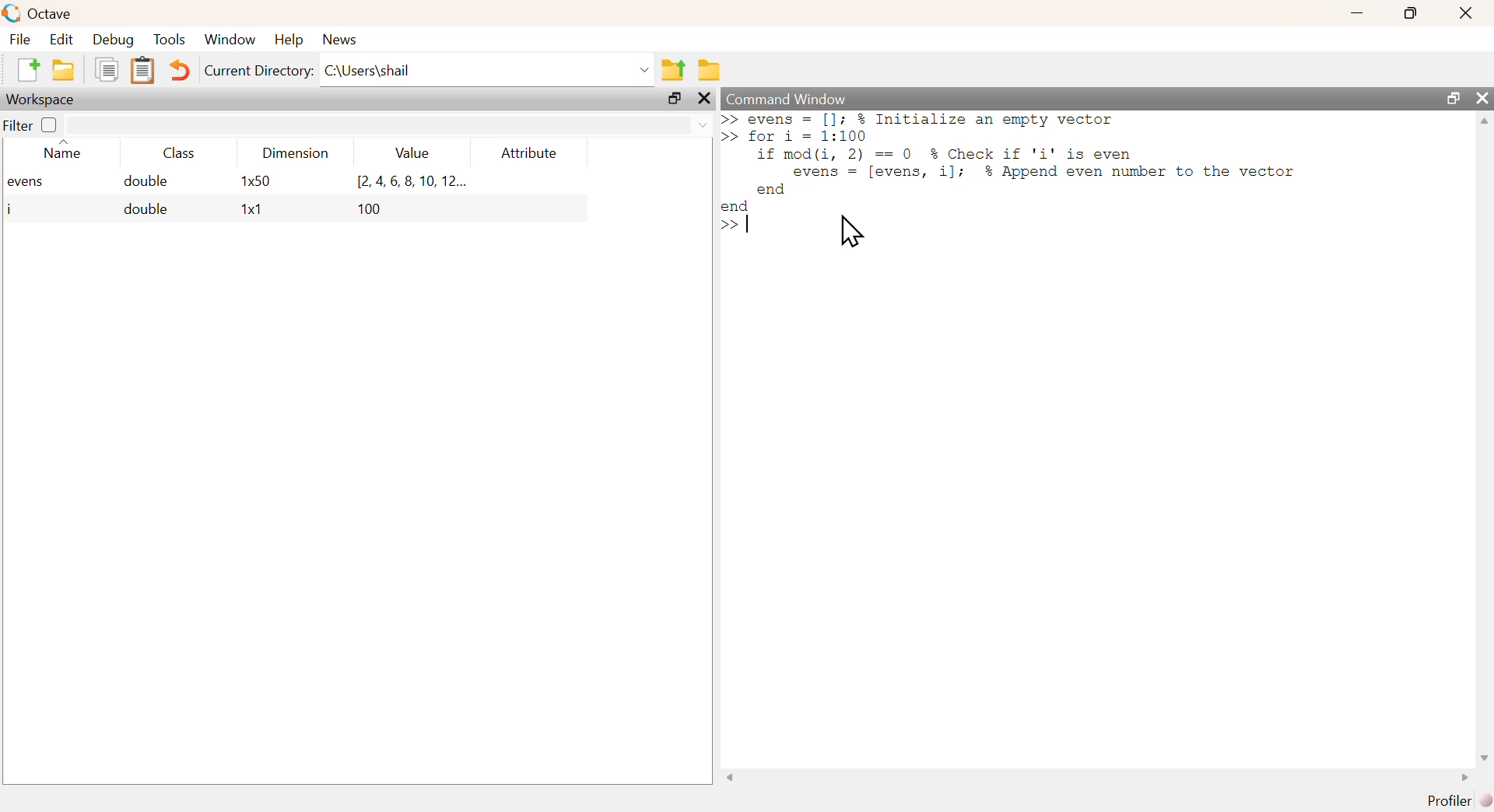  I want to click on i, so click(12, 209).